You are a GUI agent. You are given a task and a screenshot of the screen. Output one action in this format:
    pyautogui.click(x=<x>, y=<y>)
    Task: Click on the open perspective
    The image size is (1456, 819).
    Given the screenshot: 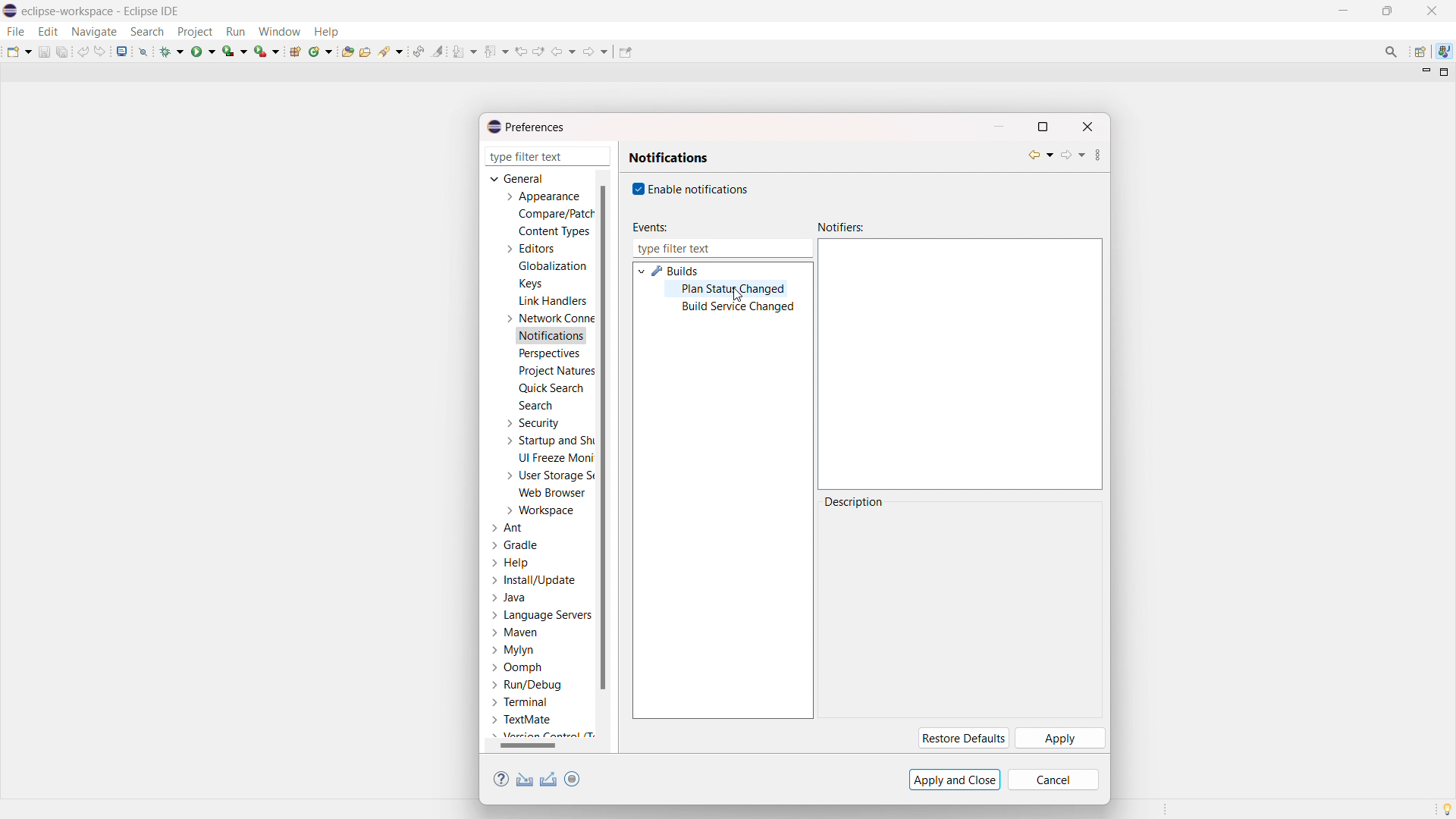 What is the action you would take?
    pyautogui.click(x=1419, y=52)
    